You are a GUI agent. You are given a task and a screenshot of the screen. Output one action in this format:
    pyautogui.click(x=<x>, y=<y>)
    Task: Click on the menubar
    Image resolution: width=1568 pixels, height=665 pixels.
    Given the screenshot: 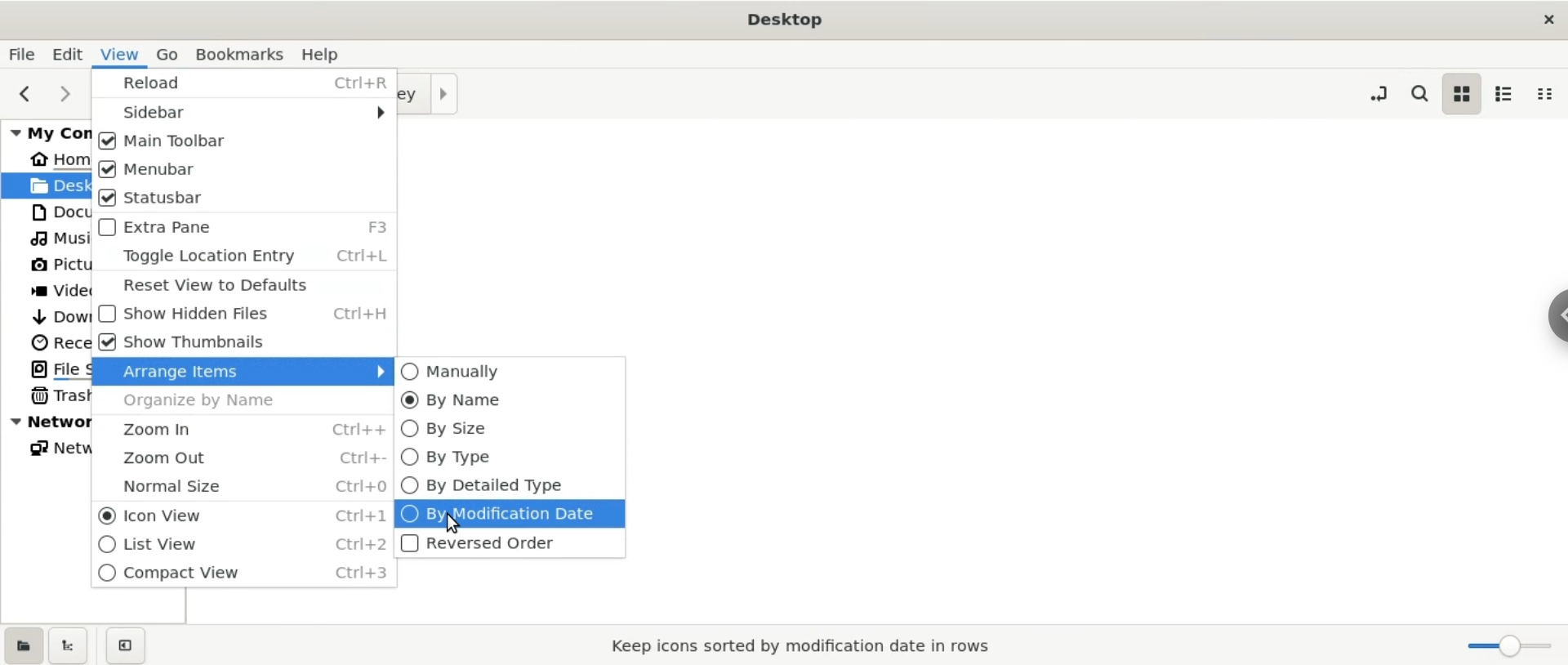 What is the action you would take?
    pyautogui.click(x=243, y=171)
    